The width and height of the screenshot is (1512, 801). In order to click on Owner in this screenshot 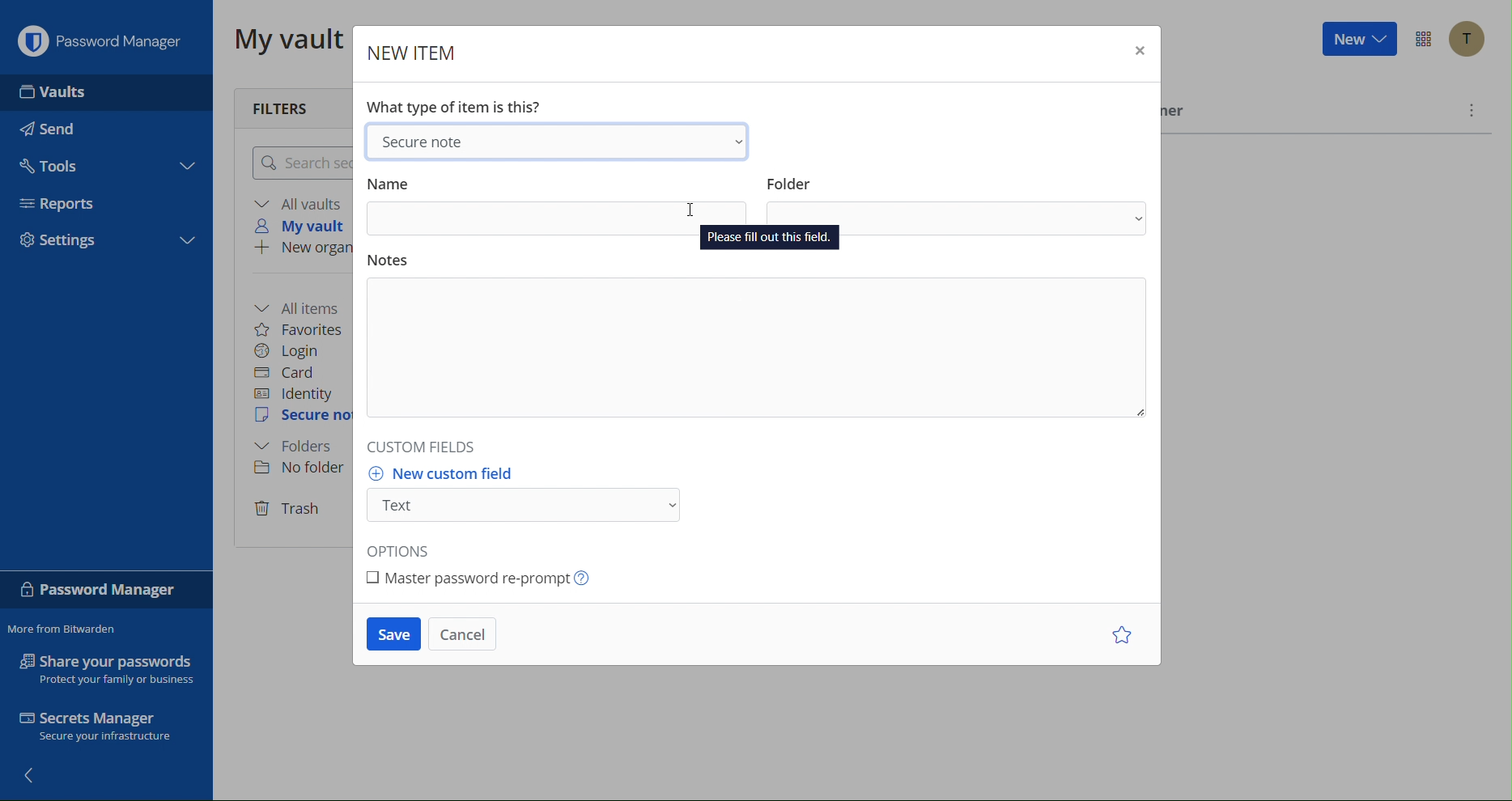, I will do `click(1179, 114)`.